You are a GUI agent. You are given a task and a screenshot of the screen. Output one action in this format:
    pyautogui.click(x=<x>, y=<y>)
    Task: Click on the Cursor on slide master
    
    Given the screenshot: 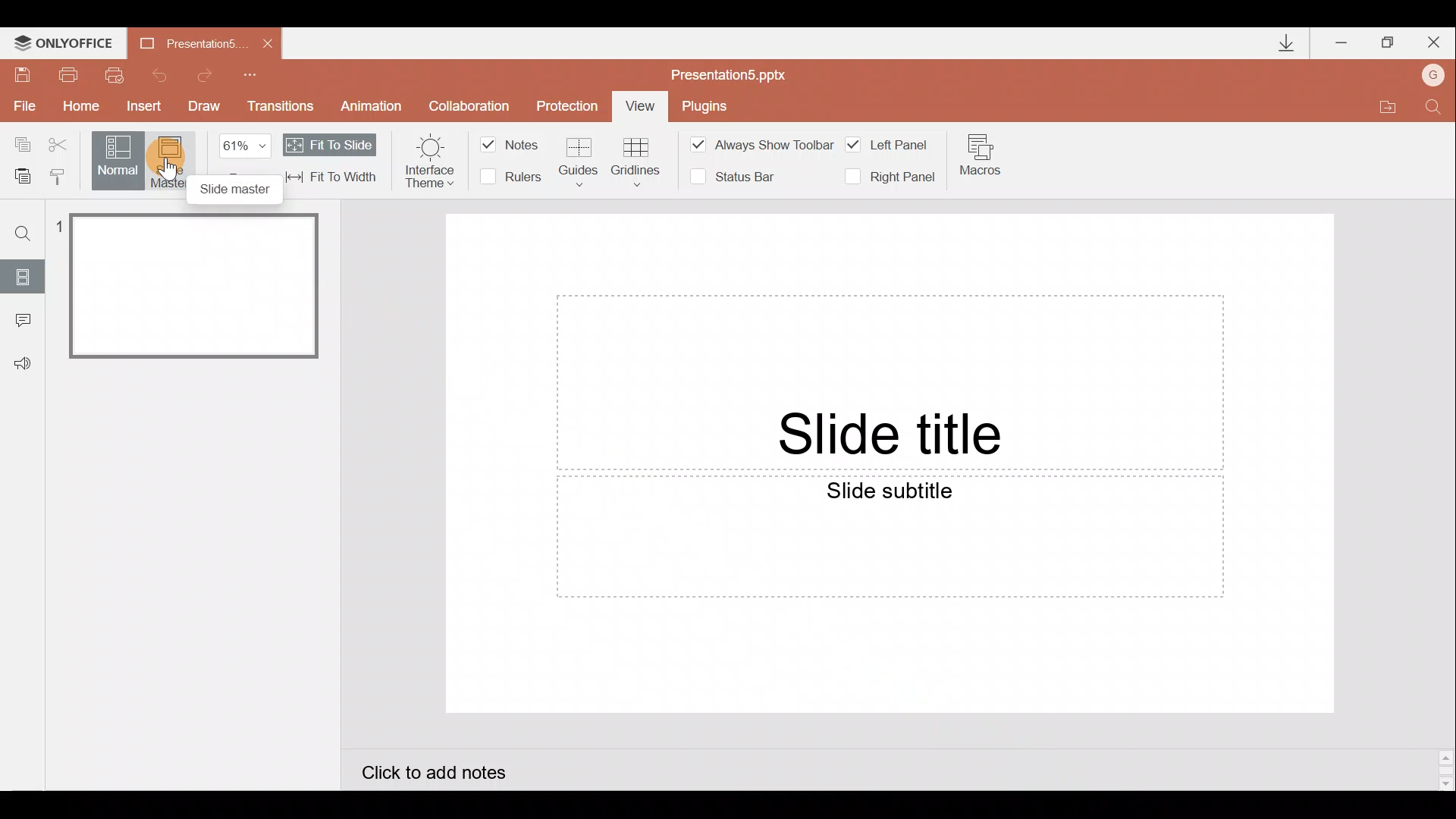 What is the action you would take?
    pyautogui.click(x=185, y=164)
    